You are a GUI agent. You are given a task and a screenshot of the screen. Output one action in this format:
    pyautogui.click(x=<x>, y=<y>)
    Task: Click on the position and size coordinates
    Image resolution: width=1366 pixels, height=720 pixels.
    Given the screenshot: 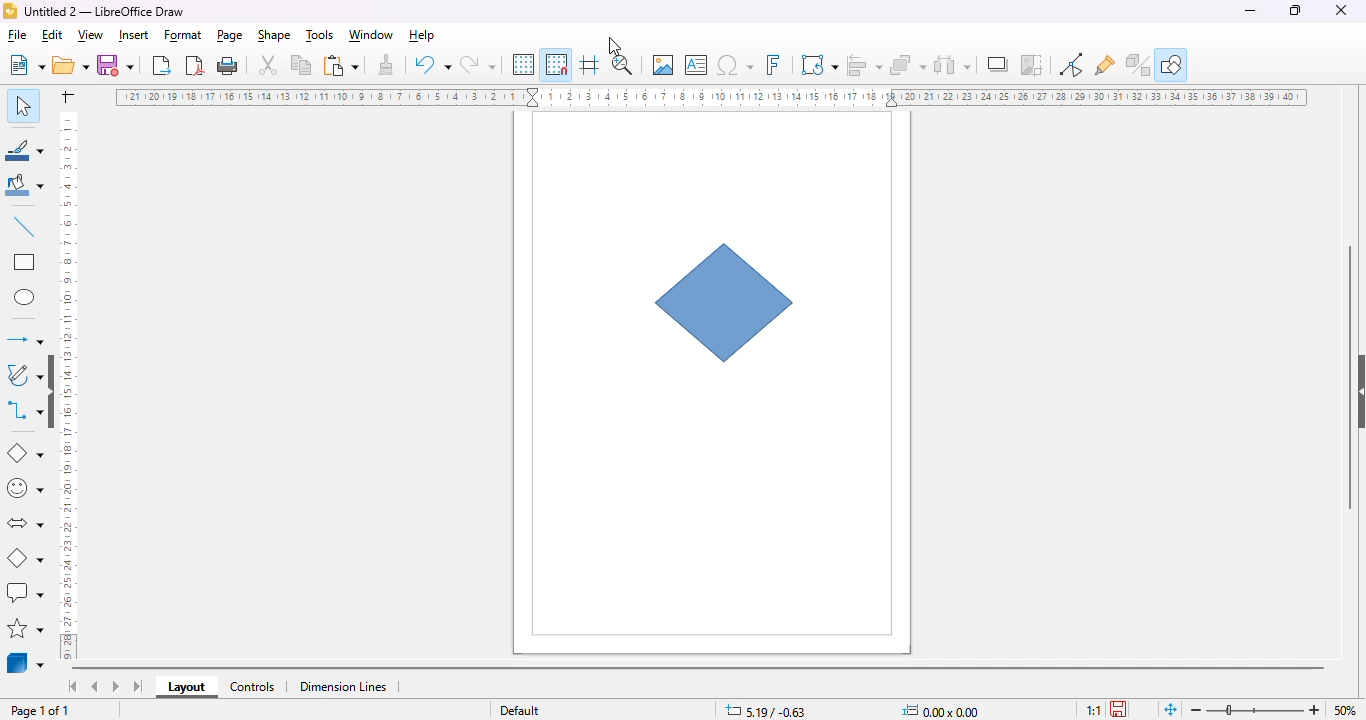 What is the action you would take?
    pyautogui.click(x=772, y=709)
    